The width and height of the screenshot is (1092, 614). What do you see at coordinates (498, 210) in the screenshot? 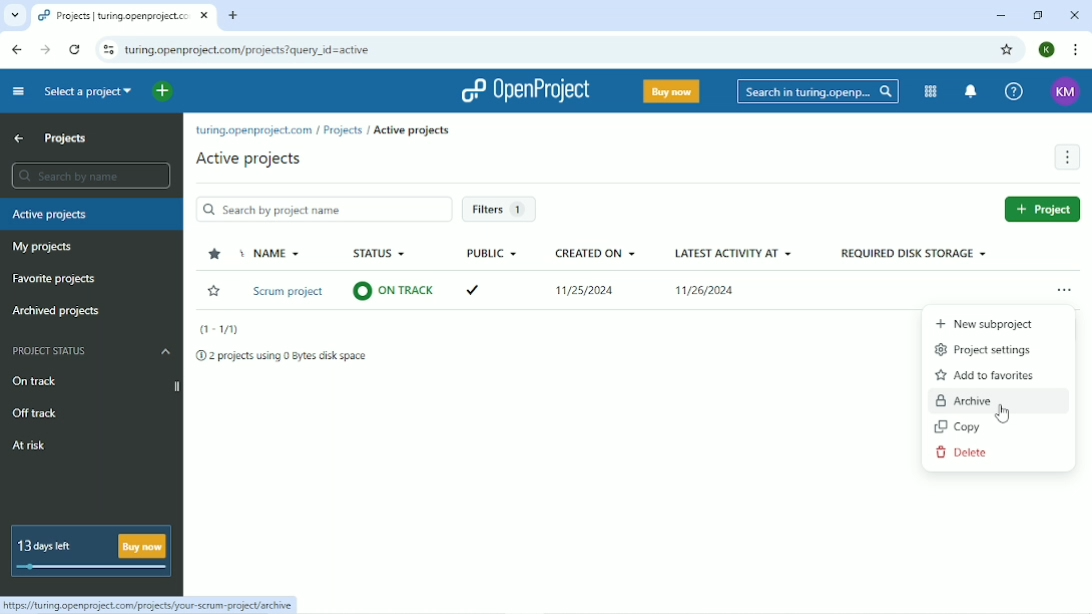
I see `Filters` at bounding box center [498, 210].